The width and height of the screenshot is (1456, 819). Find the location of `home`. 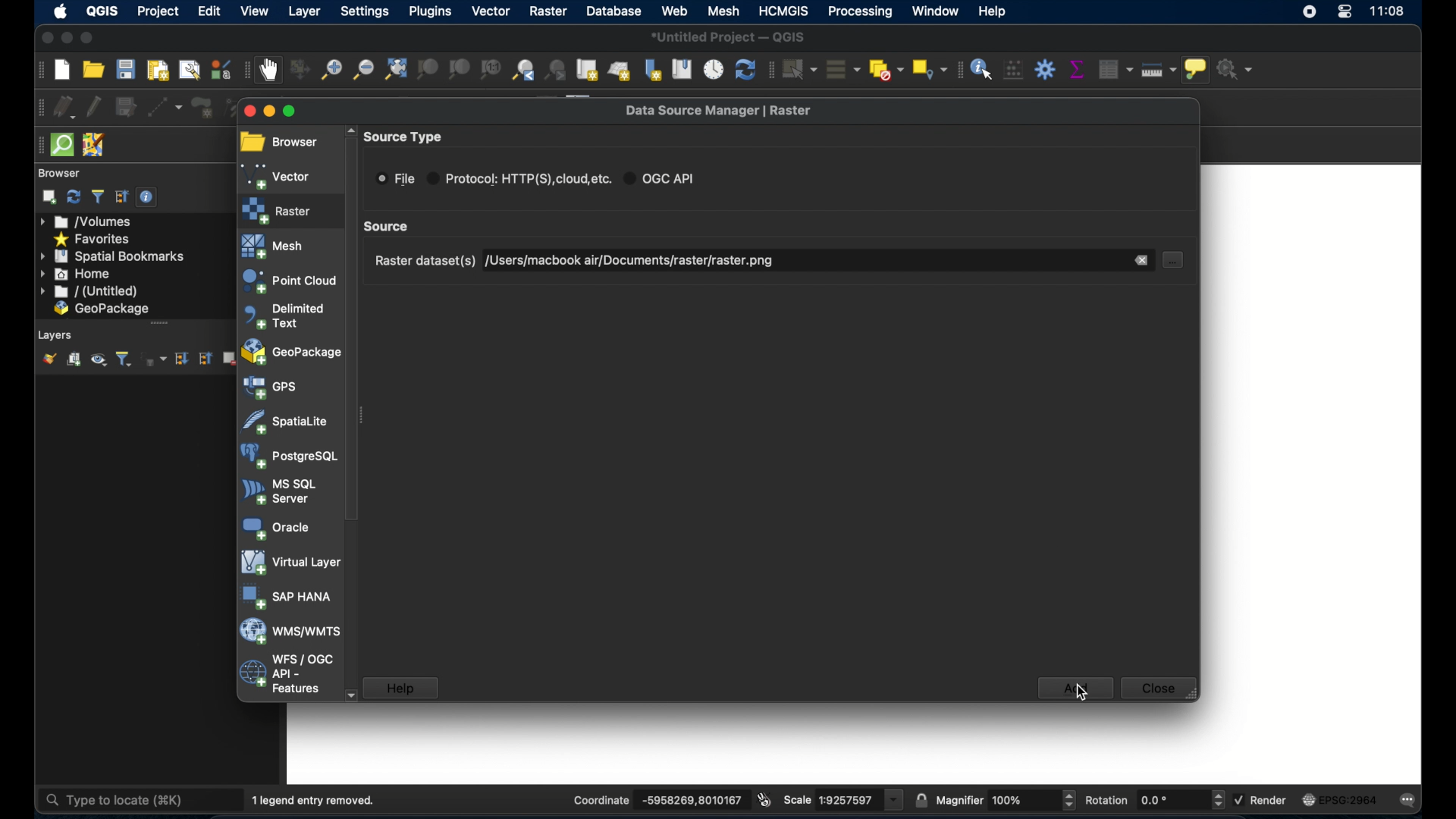

home is located at coordinates (77, 274).